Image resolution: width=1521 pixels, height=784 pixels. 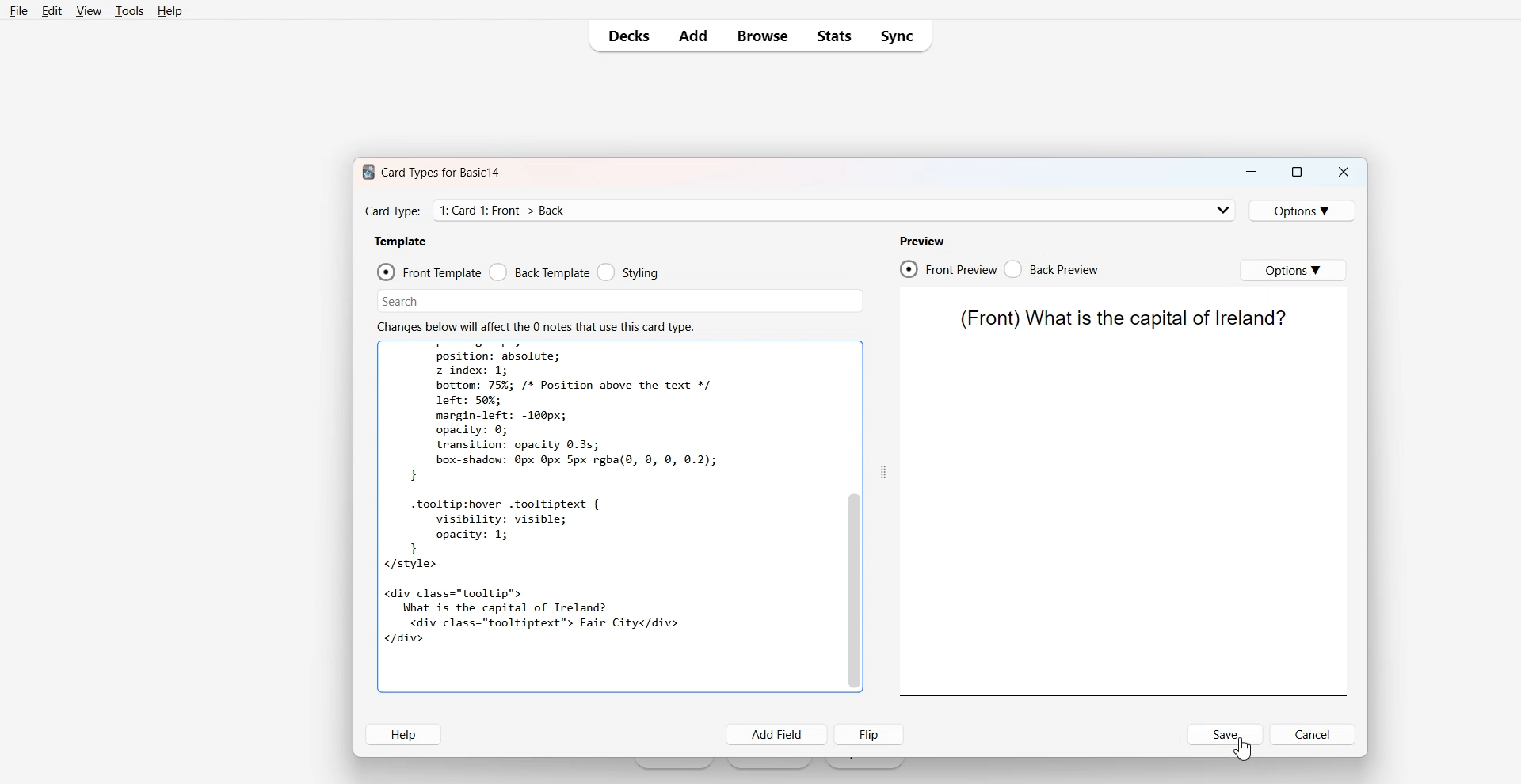 I want to click on File, so click(x=20, y=11).